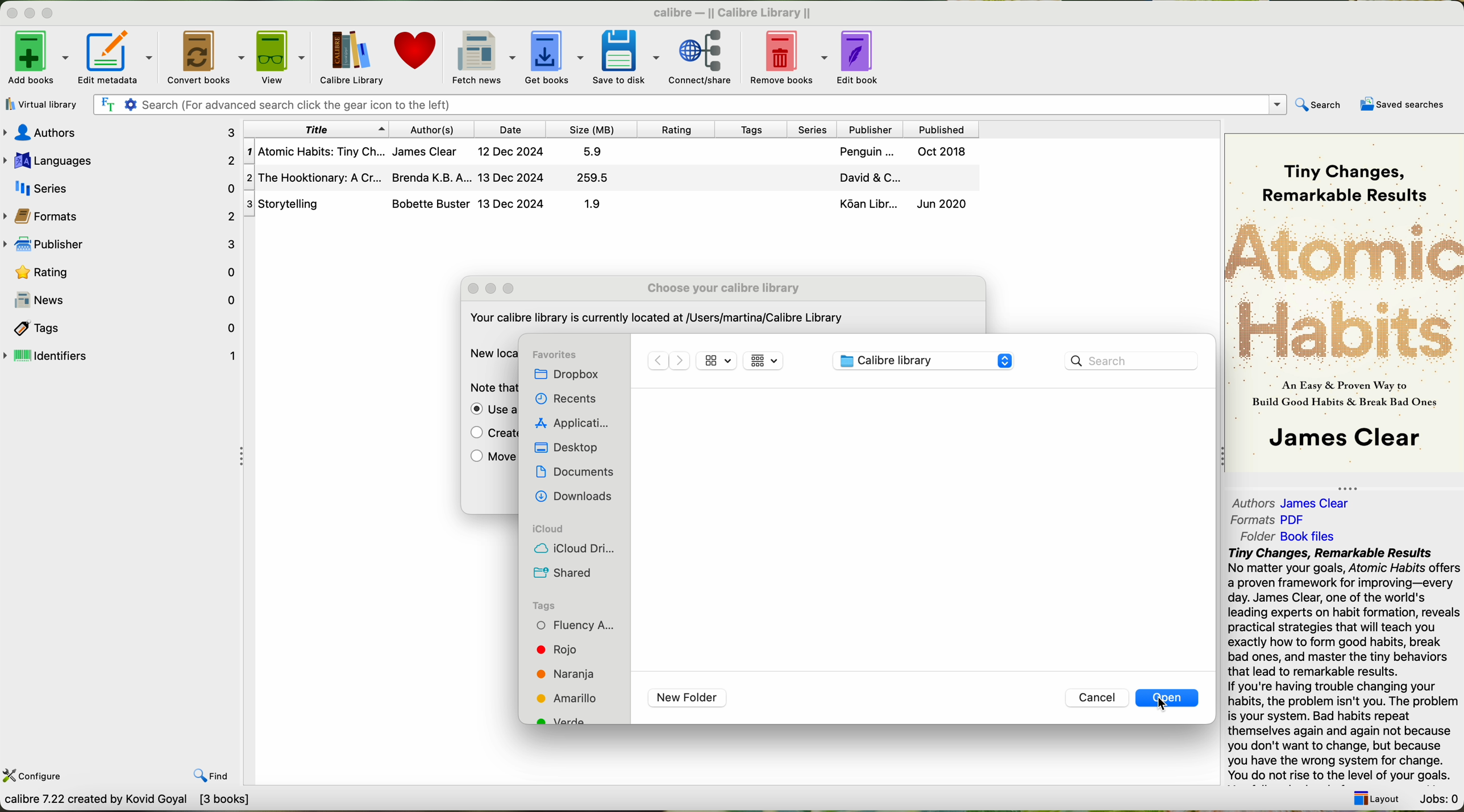  What do you see at coordinates (575, 374) in the screenshot?
I see `dropbox` at bounding box center [575, 374].